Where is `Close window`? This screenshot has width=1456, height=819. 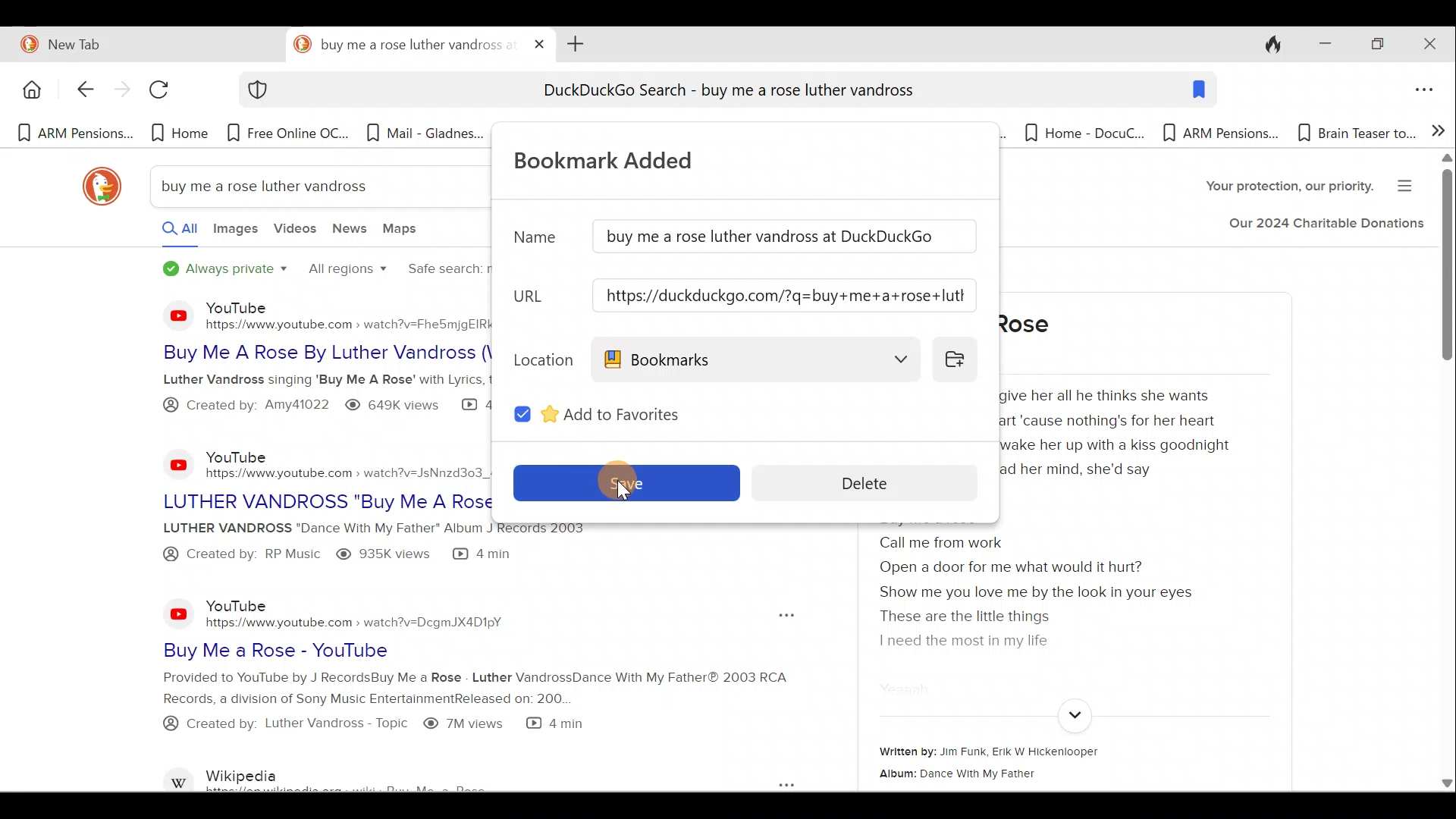 Close window is located at coordinates (1432, 44).